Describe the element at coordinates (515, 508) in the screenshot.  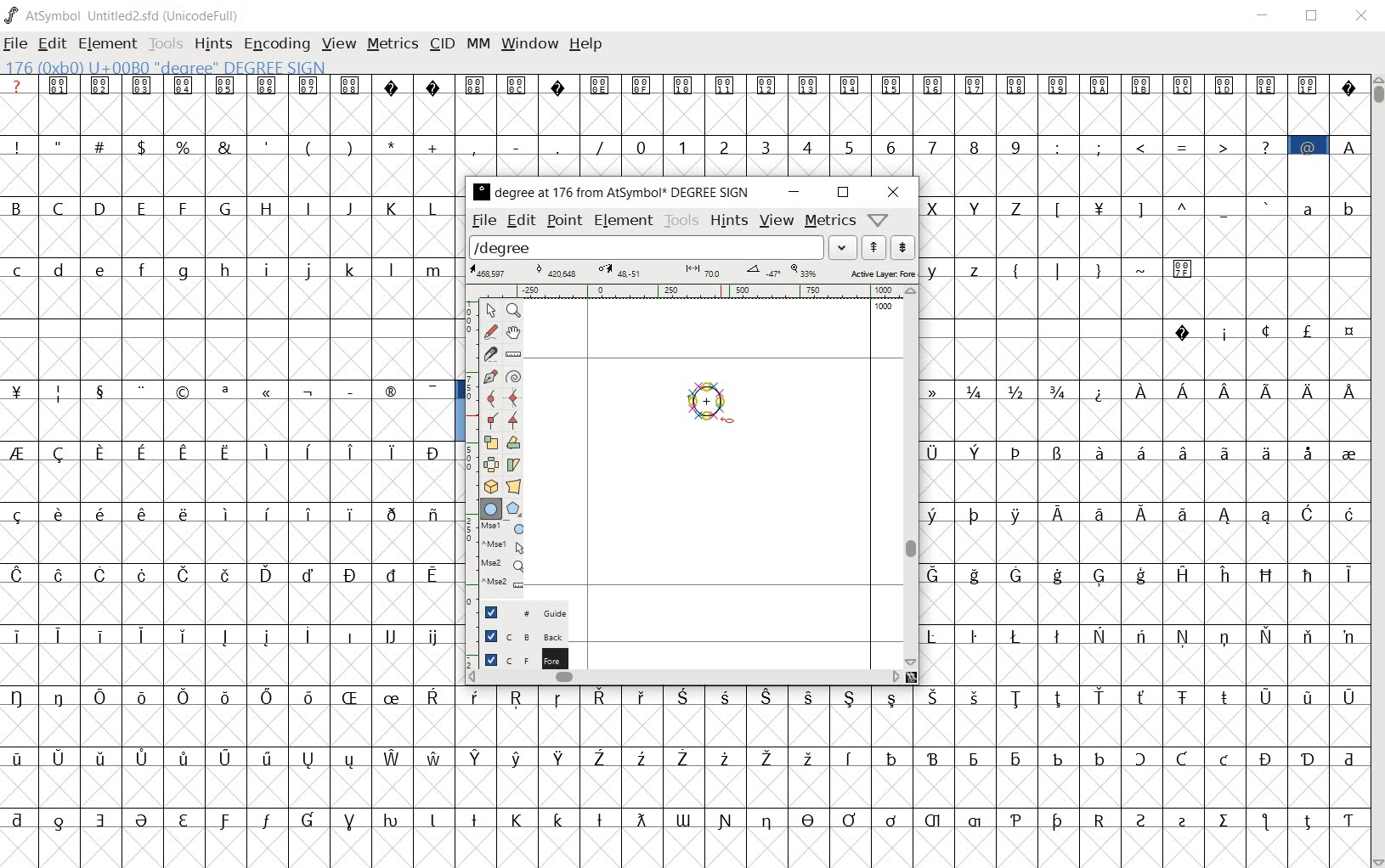
I see `polygon or star` at that location.